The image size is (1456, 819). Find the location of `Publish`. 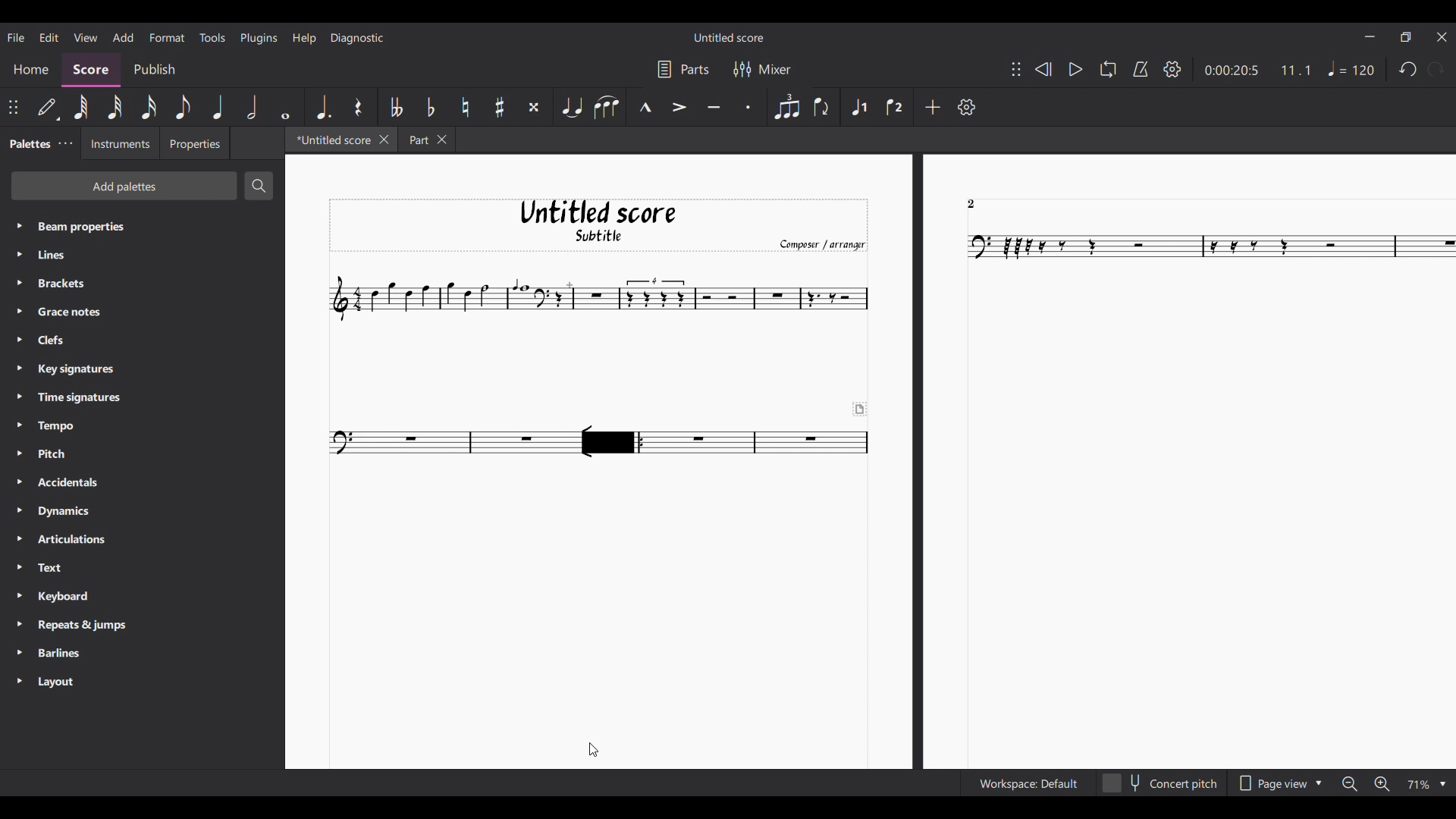

Publish is located at coordinates (154, 70).